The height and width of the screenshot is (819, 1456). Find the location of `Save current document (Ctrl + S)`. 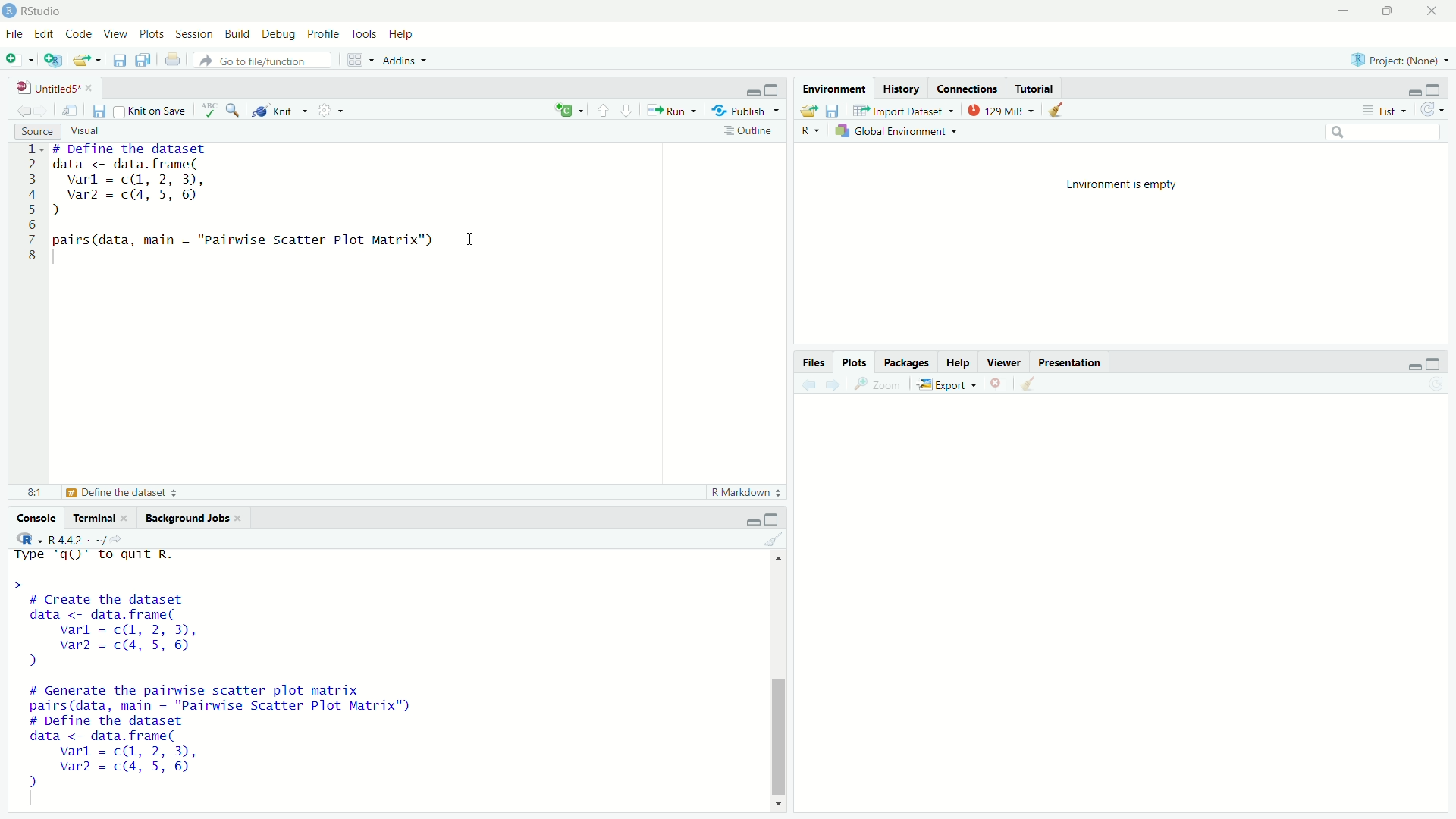

Save current document (Ctrl + S) is located at coordinates (101, 109).